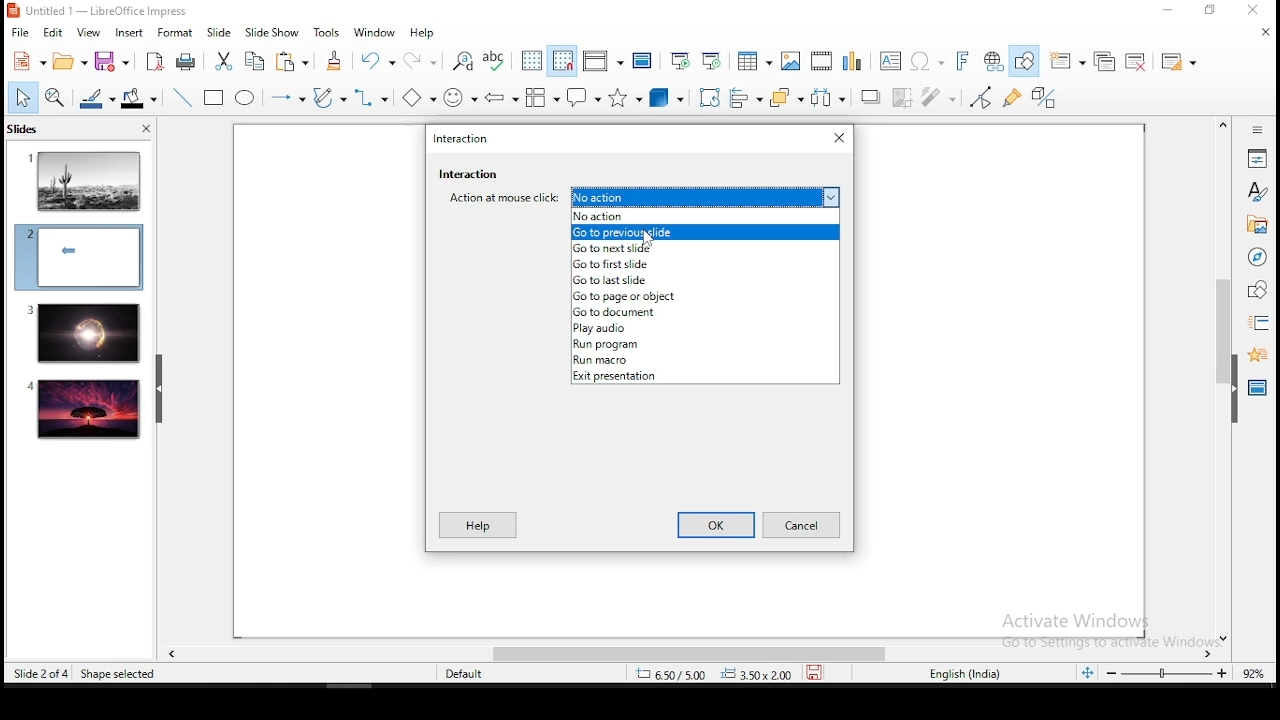  I want to click on align objects, so click(751, 99).